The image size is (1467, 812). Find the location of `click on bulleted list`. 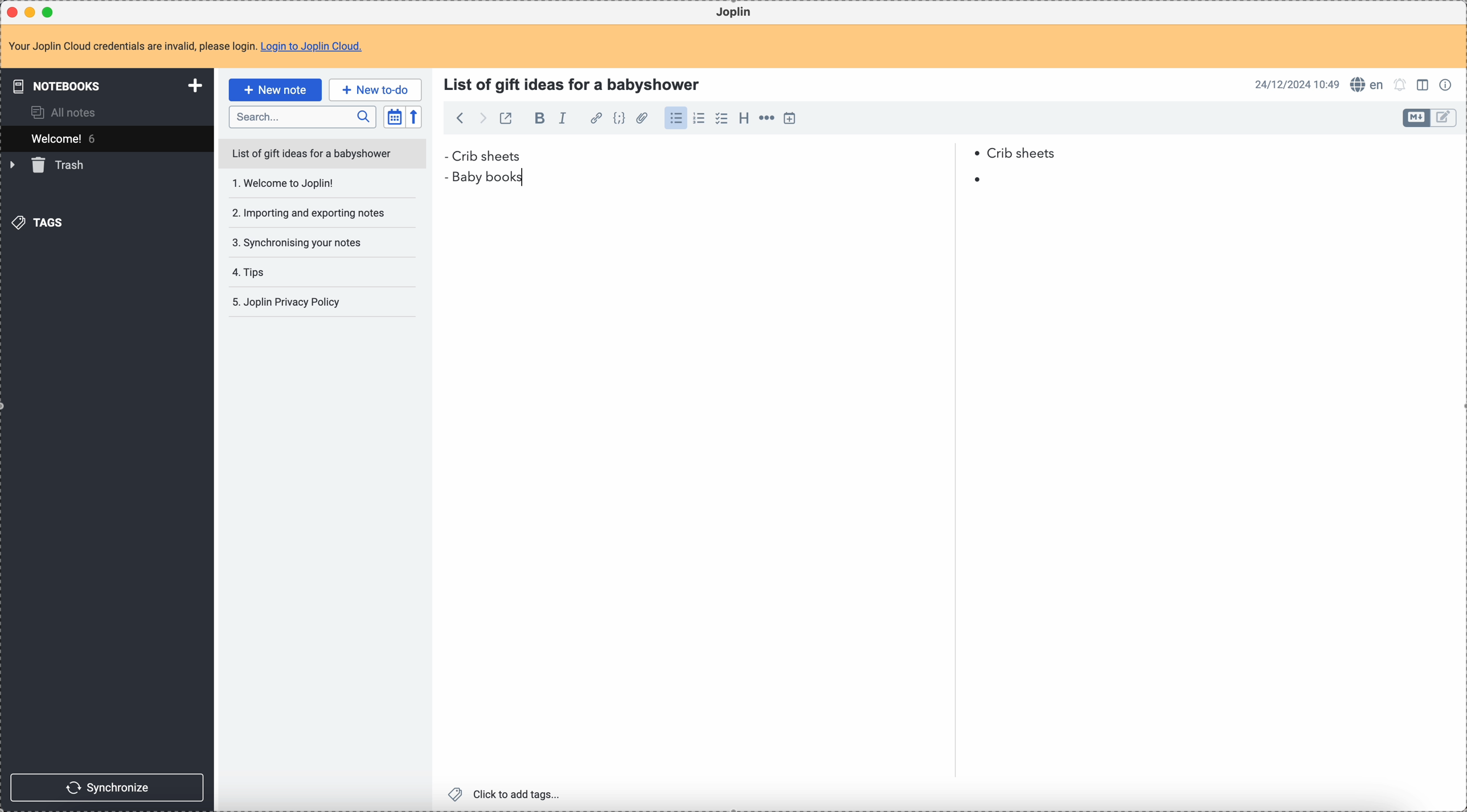

click on bulleted list is located at coordinates (679, 119).